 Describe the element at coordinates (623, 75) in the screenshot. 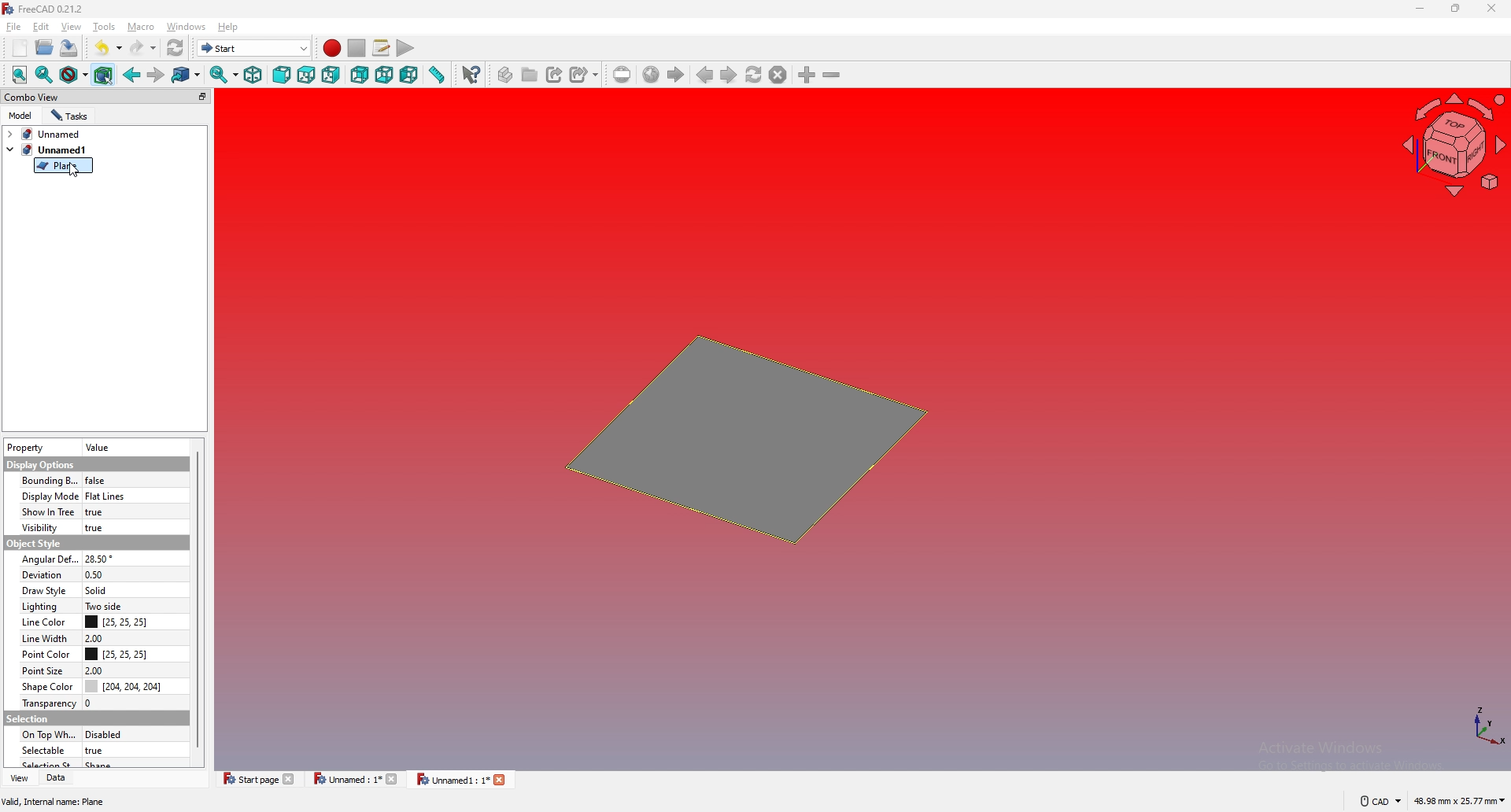

I see `set url` at that location.